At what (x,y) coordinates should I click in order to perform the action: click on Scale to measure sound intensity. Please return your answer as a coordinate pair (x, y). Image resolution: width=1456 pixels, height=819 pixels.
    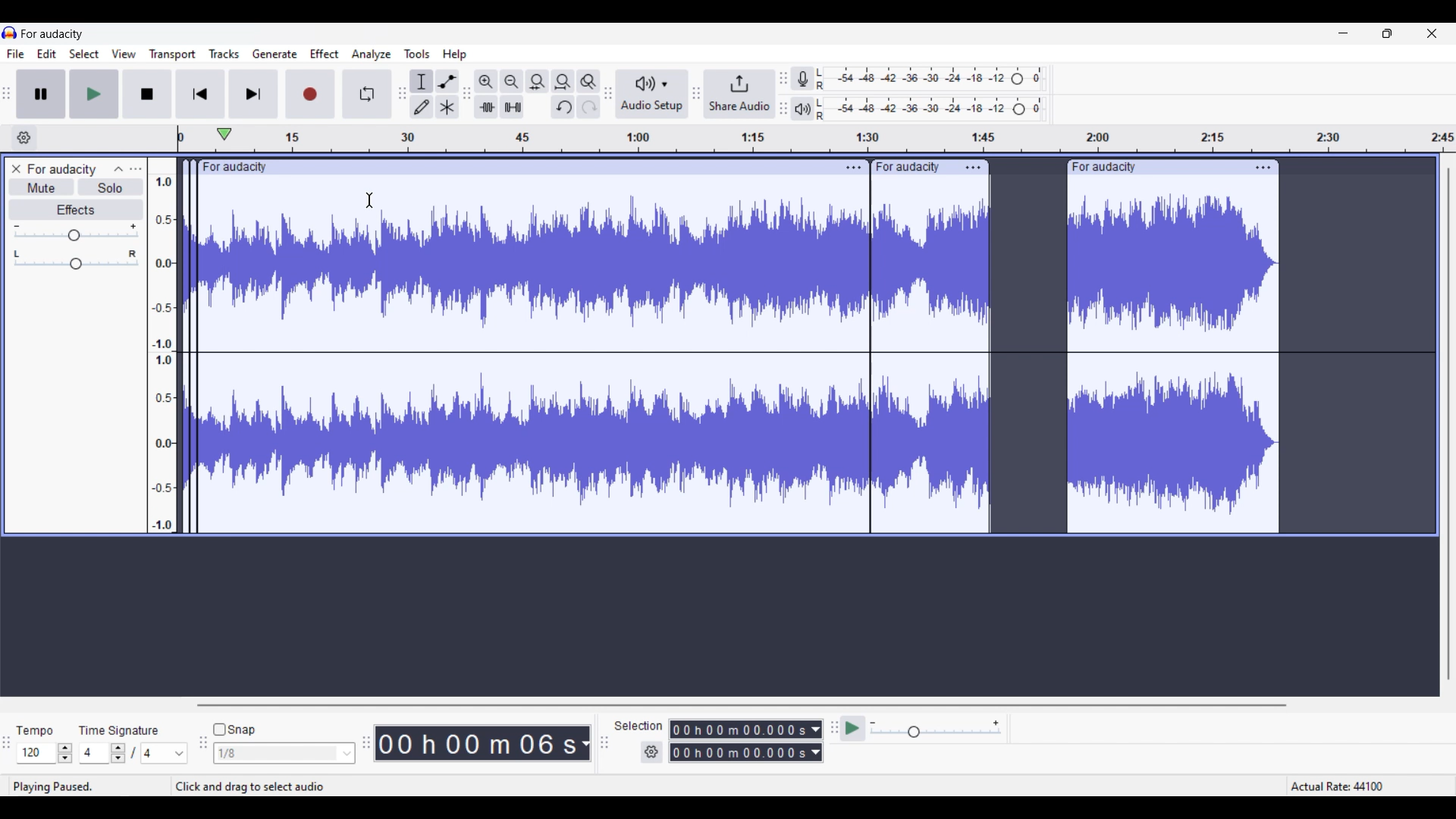
    Looking at the image, I should click on (162, 347).